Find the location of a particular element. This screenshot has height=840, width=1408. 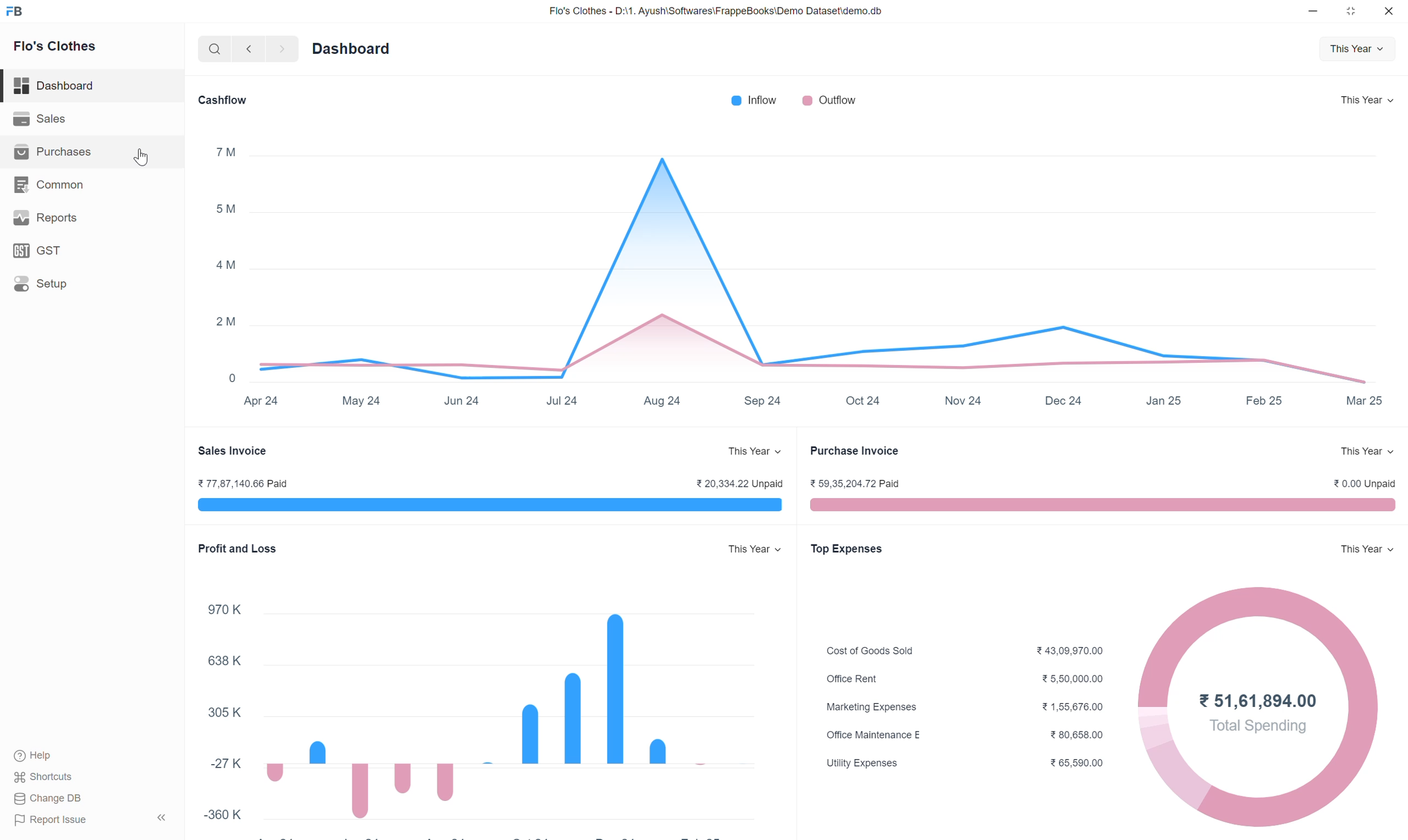

Dashboard is located at coordinates (55, 86).